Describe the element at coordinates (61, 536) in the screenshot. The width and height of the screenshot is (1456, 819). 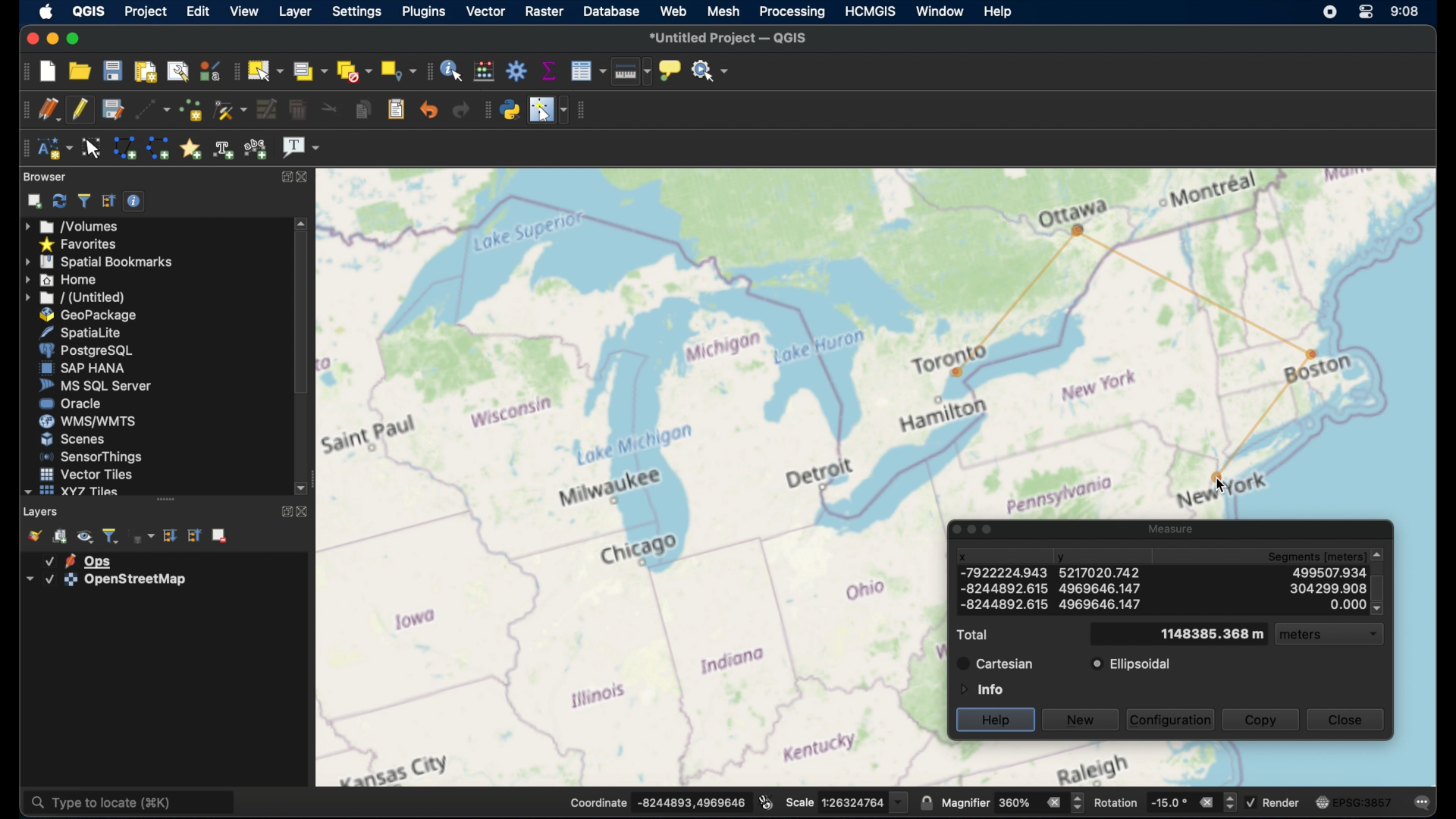
I see `add group` at that location.